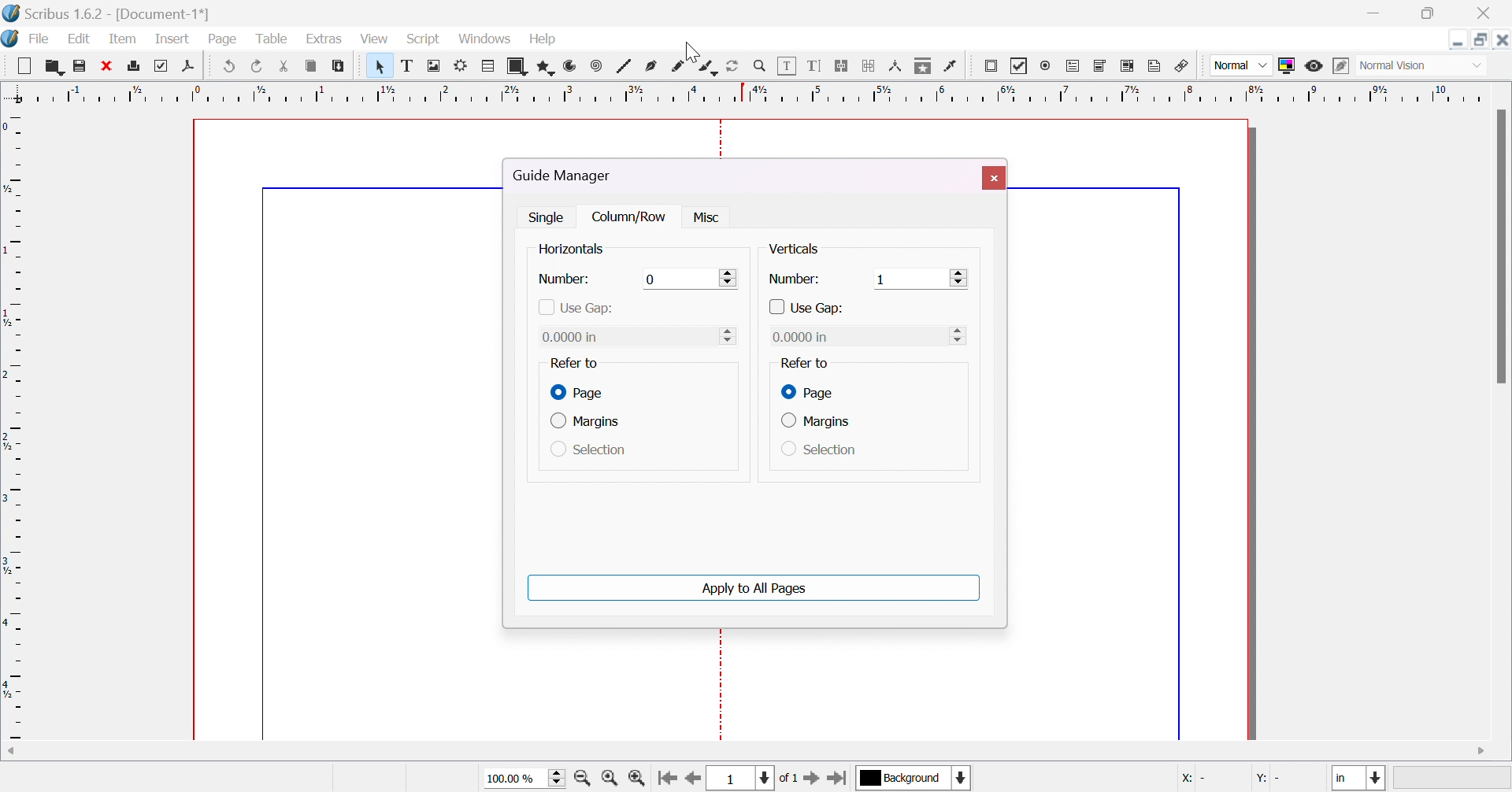  What do you see at coordinates (1371, 13) in the screenshot?
I see `minimize` at bounding box center [1371, 13].